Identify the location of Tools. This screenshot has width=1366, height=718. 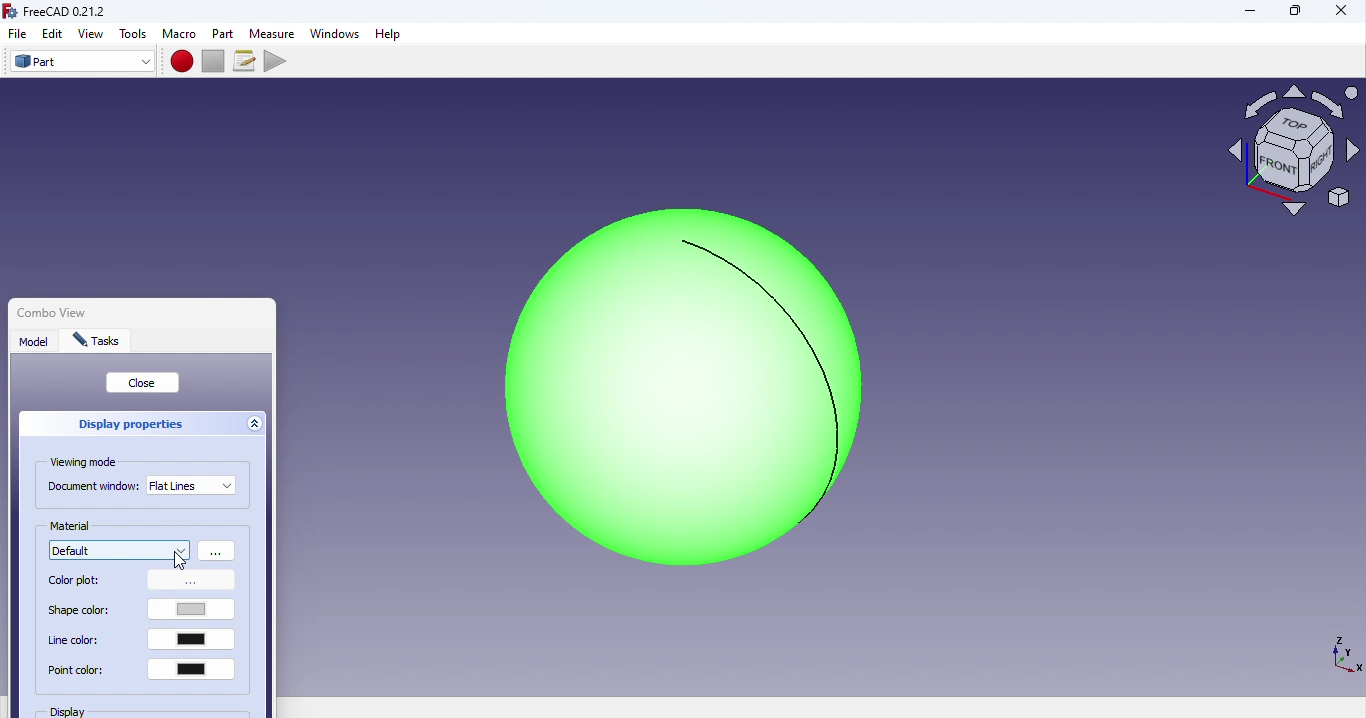
(134, 34).